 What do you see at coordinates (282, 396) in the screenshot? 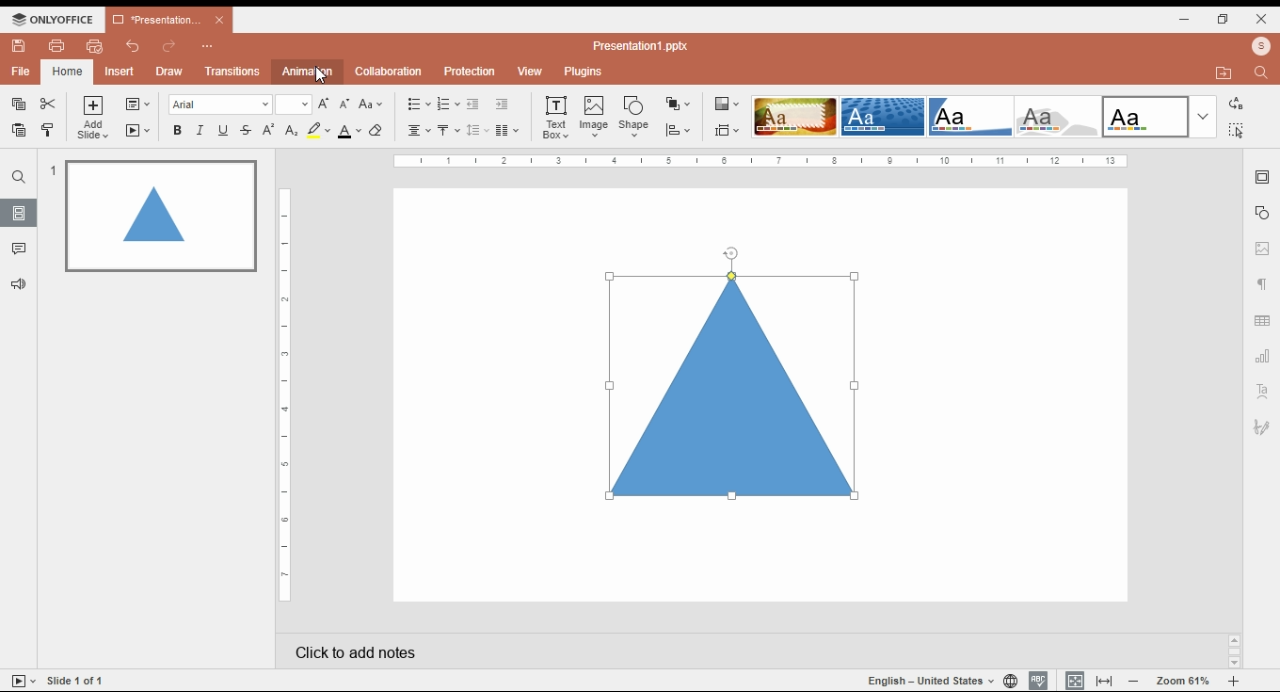
I see `vertical scale` at bounding box center [282, 396].